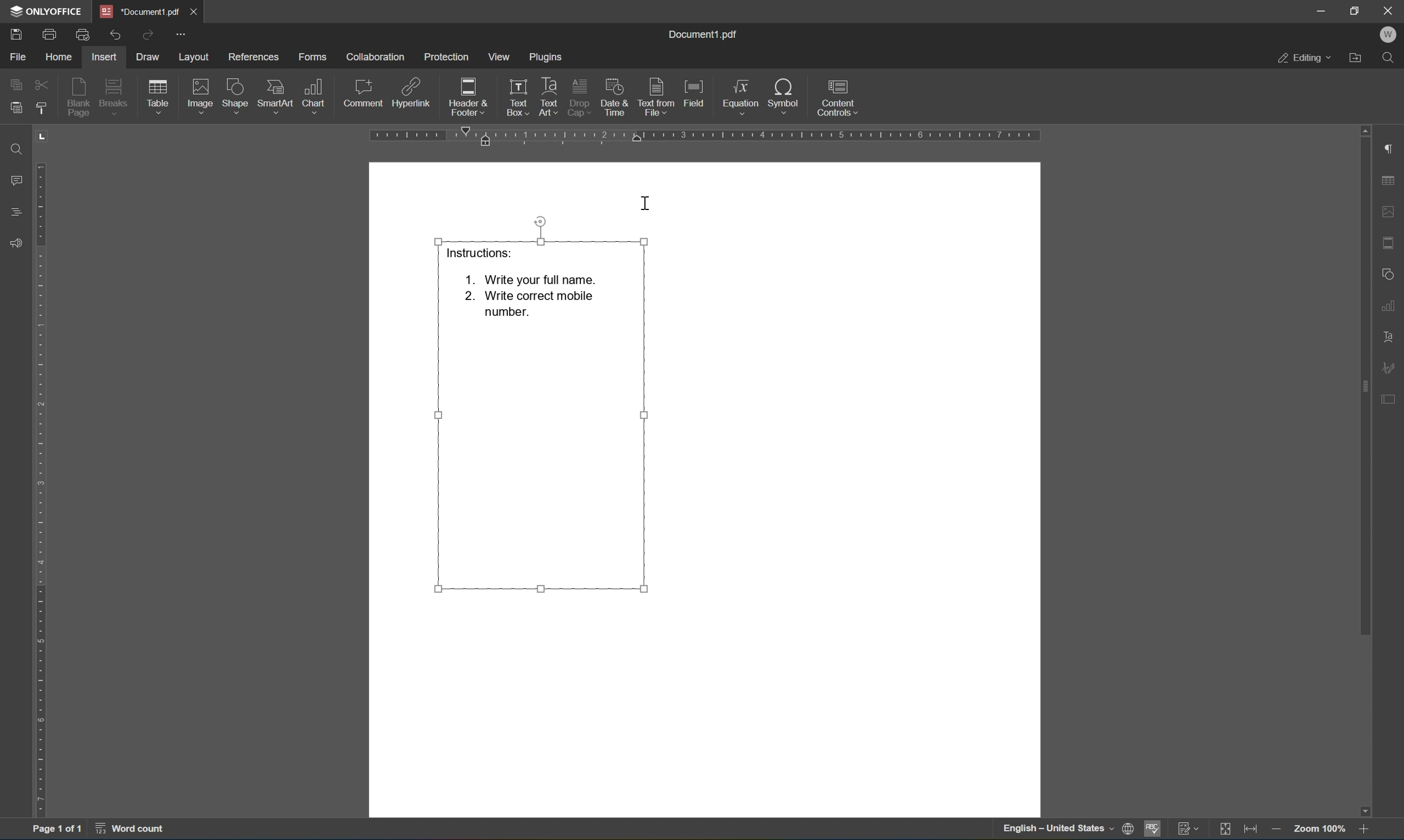 This screenshot has height=840, width=1404. I want to click on content controls, so click(841, 97).